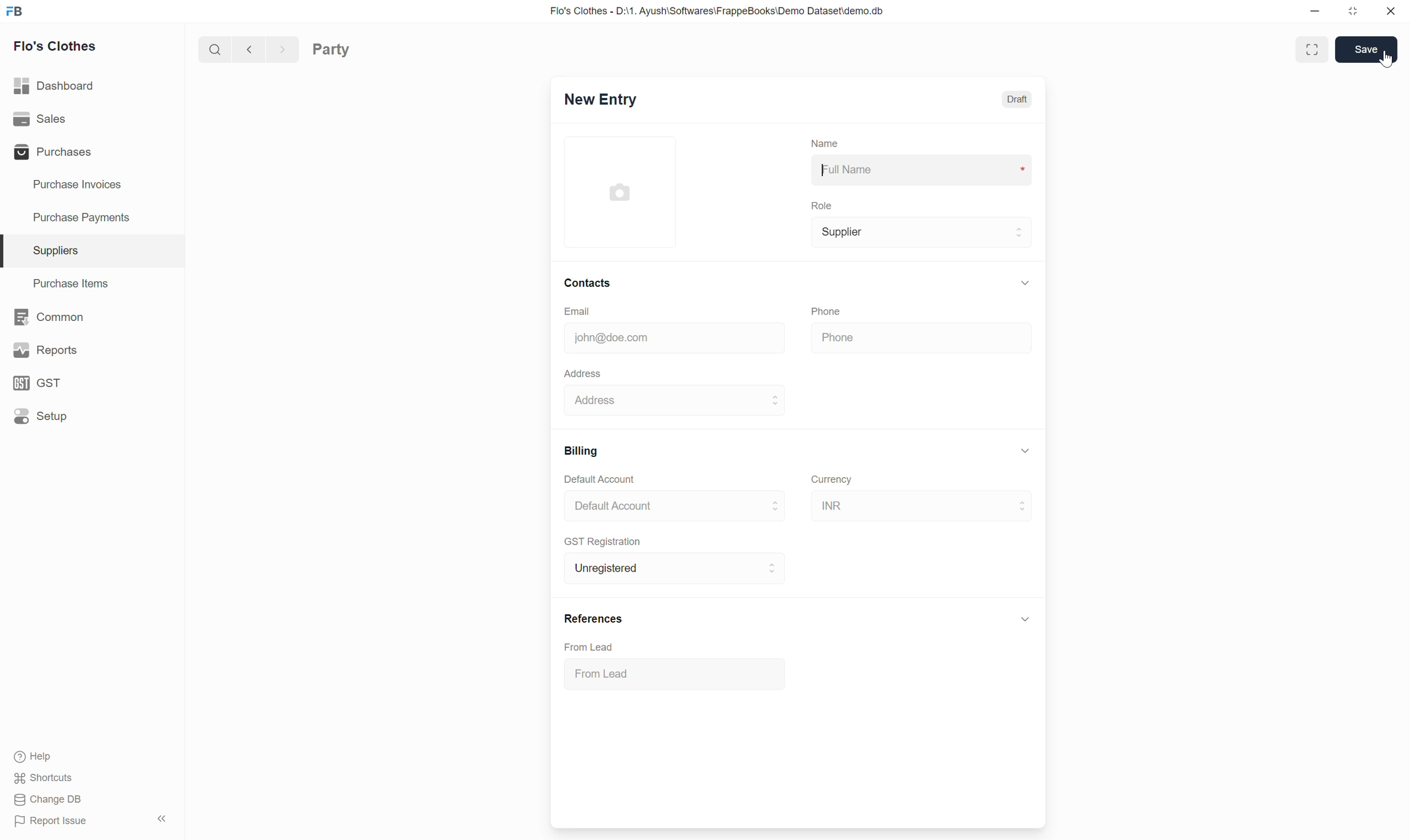 The height and width of the screenshot is (840, 1410). What do you see at coordinates (822, 205) in the screenshot?
I see `Role` at bounding box center [822, 205].